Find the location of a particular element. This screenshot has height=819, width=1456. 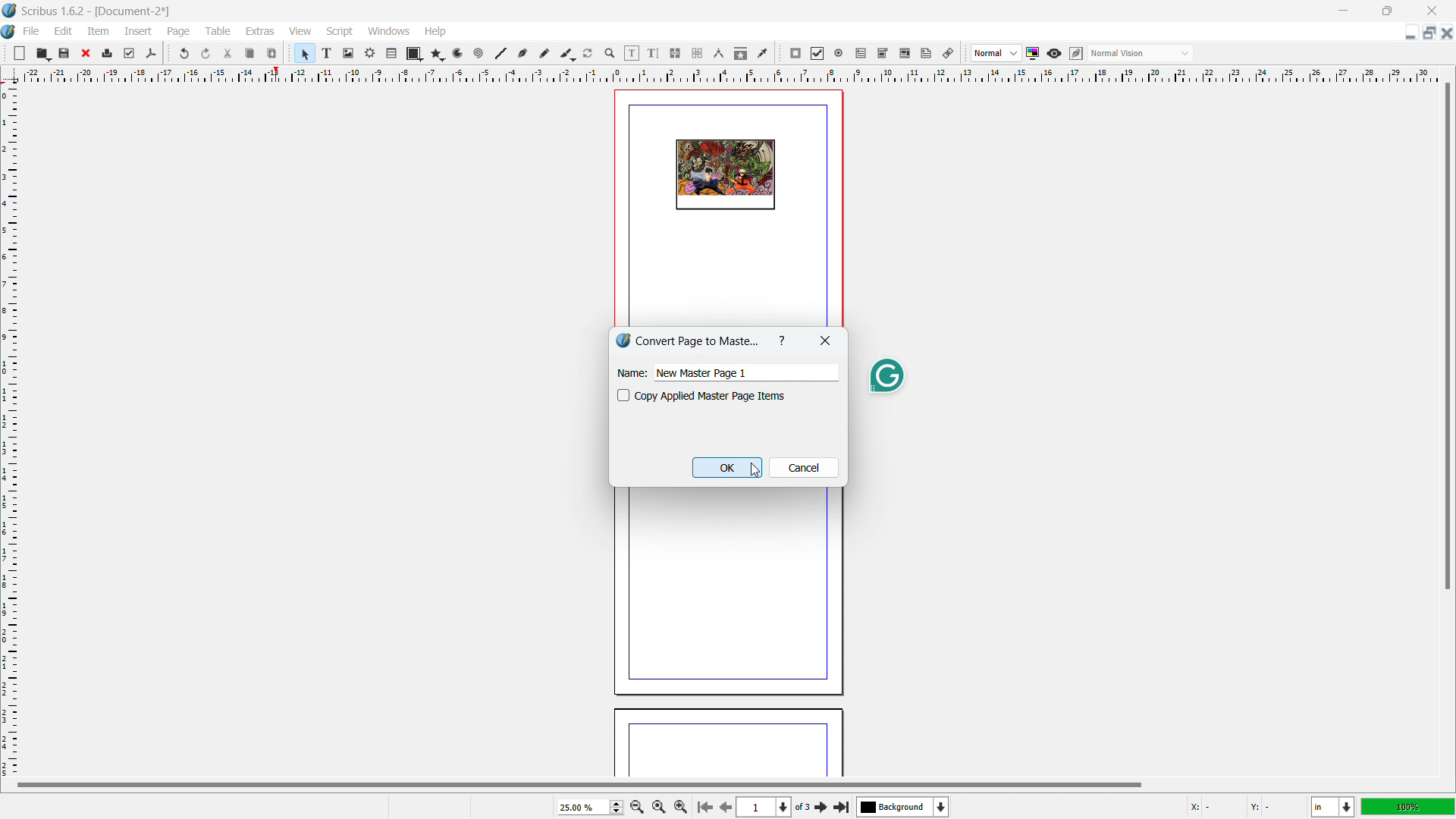

save as pdf is located at coordinates (150, 54).